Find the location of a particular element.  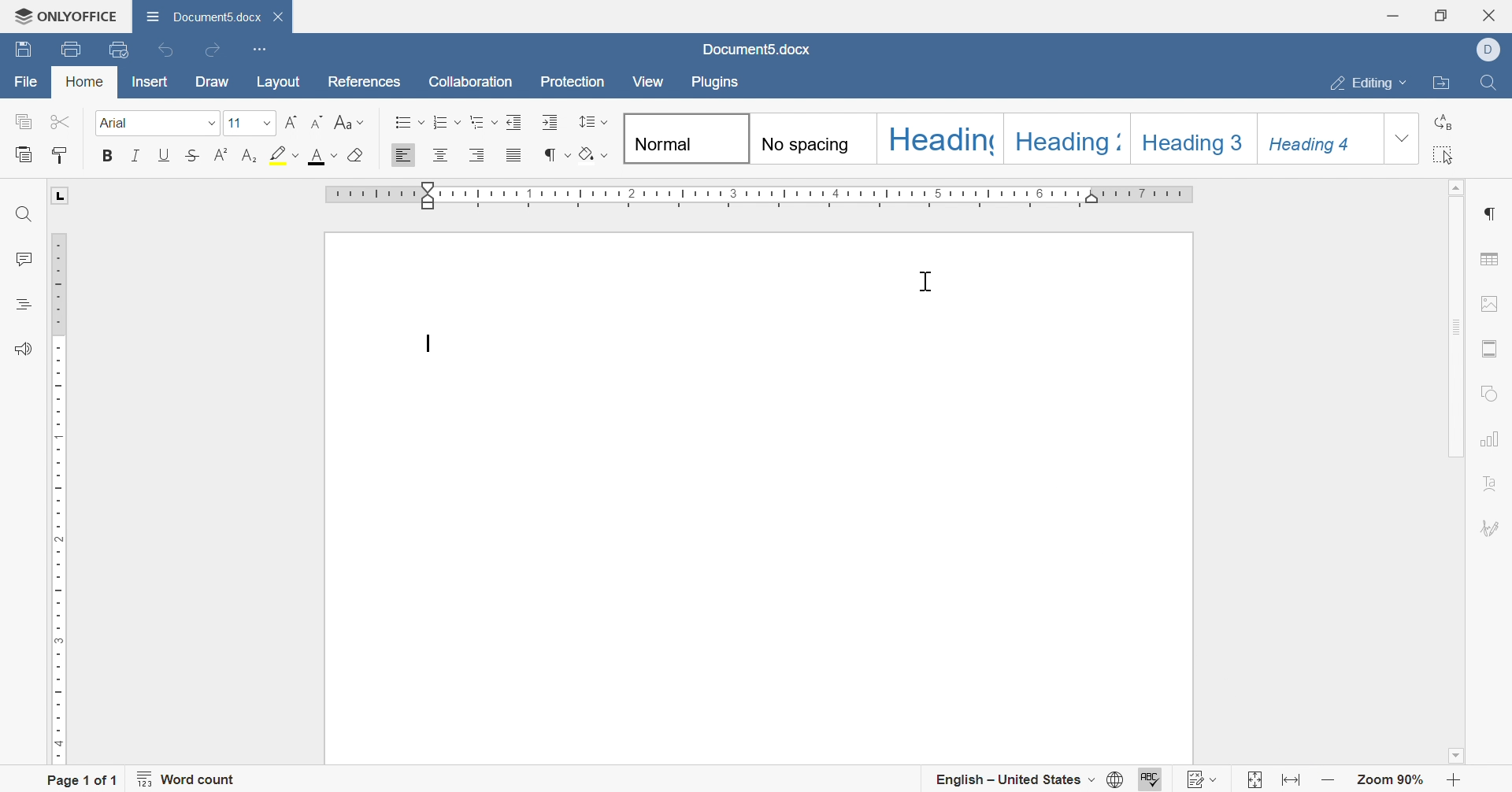

Document5.docx is located at coordinates (753, 52).